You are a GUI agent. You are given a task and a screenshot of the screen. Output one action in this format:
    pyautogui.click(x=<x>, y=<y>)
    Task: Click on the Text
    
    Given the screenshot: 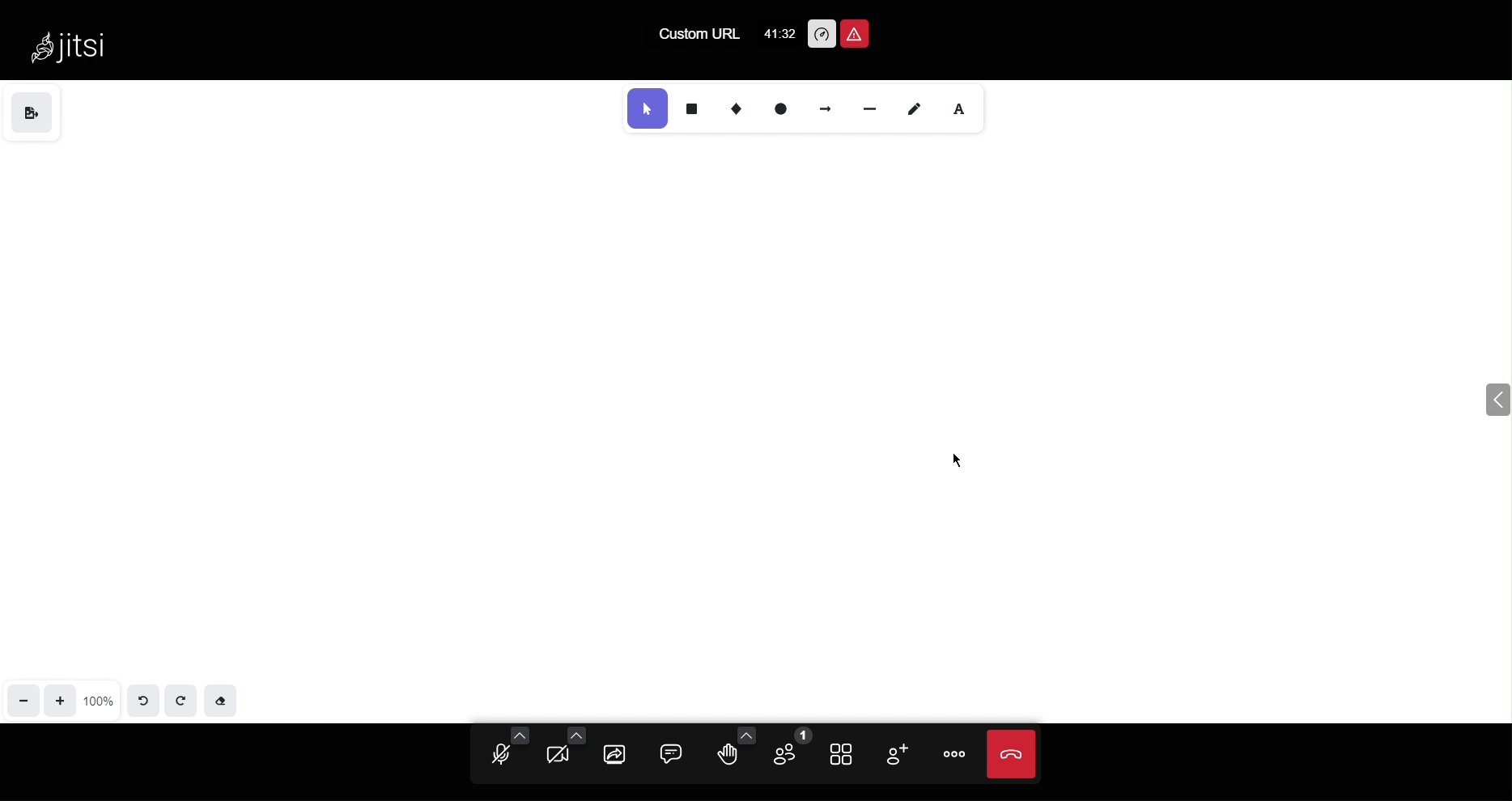 What is the action you would take?
    pyautogui.click(x=961, y=109)
    